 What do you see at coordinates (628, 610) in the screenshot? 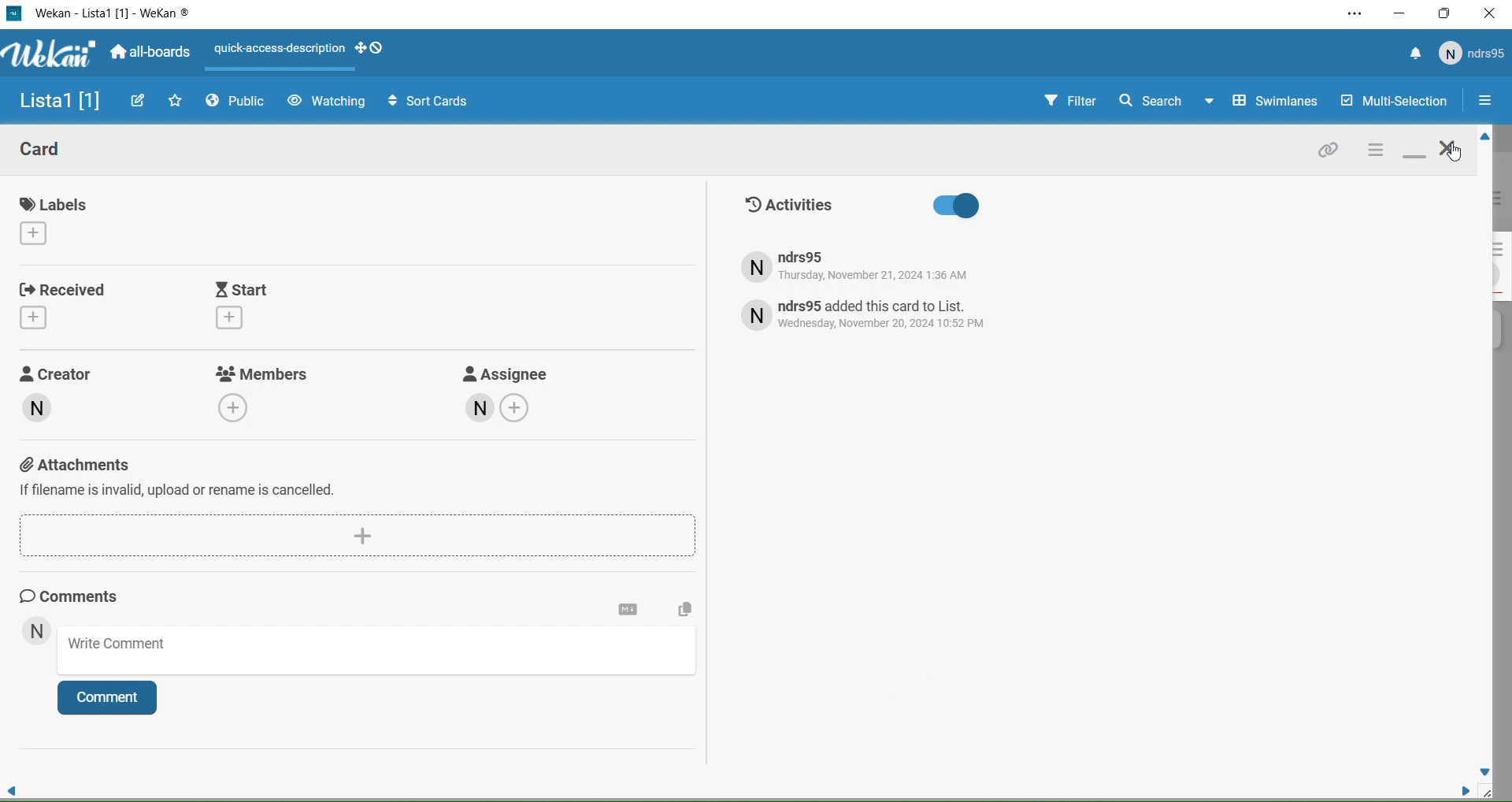
I see `settings` at bounding box center [628, 610].